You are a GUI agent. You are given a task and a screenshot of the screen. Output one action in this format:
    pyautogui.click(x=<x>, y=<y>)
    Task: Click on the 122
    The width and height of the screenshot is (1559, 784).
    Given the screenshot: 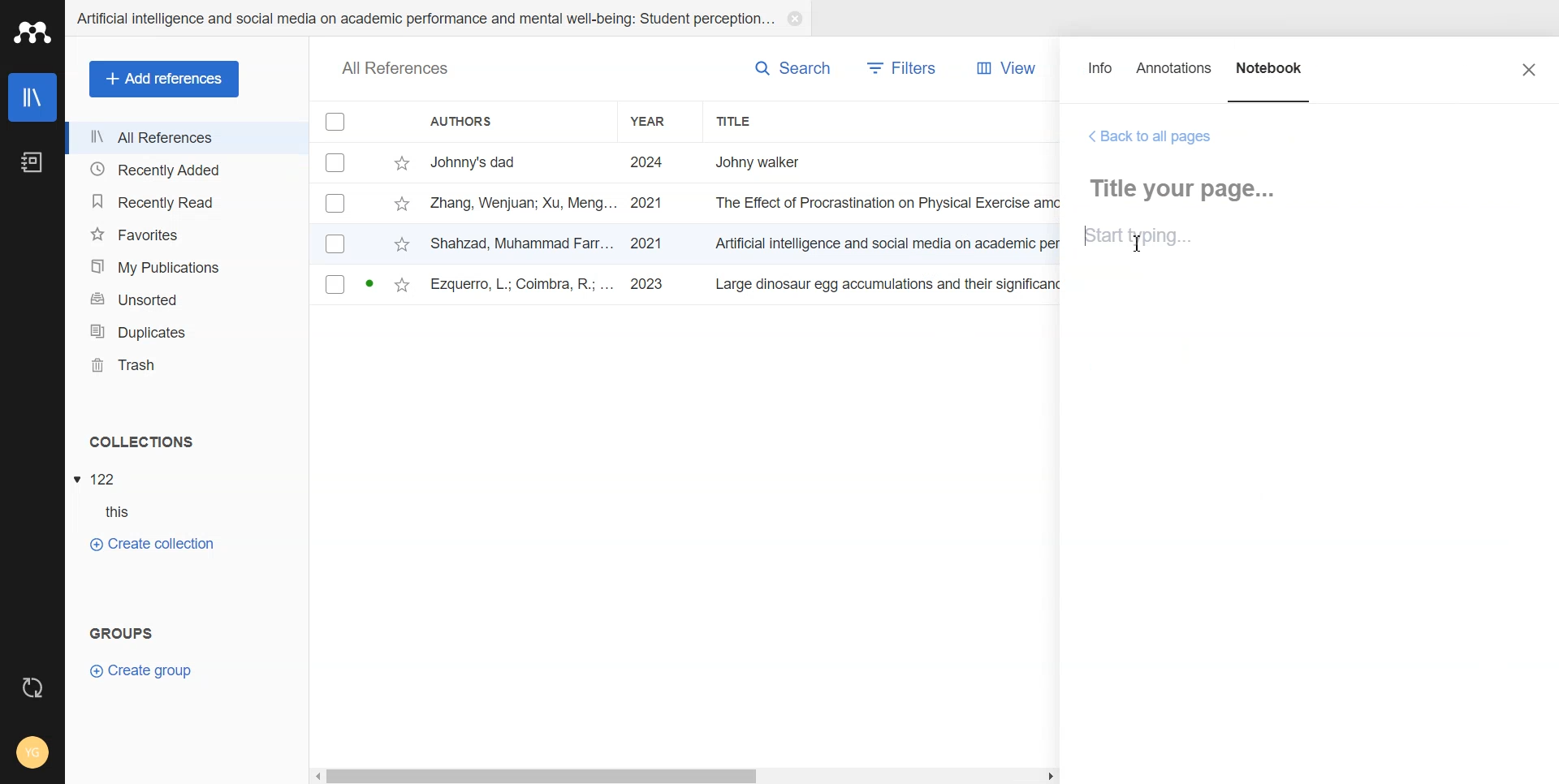 What is the action you would take?
    pyautogui.click(x=105, y=480)
    